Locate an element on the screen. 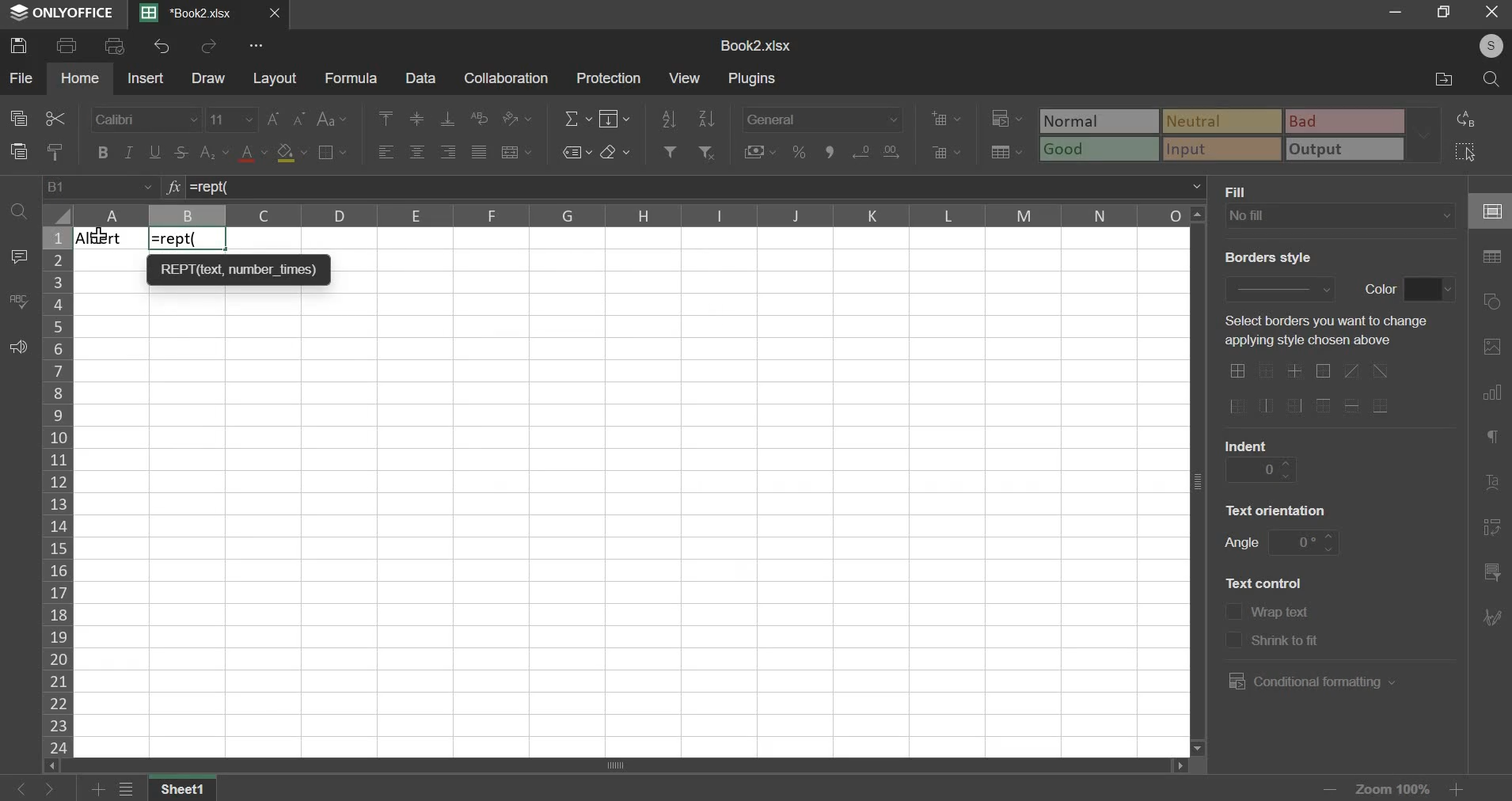  copy is located at coordinates (19, 118).